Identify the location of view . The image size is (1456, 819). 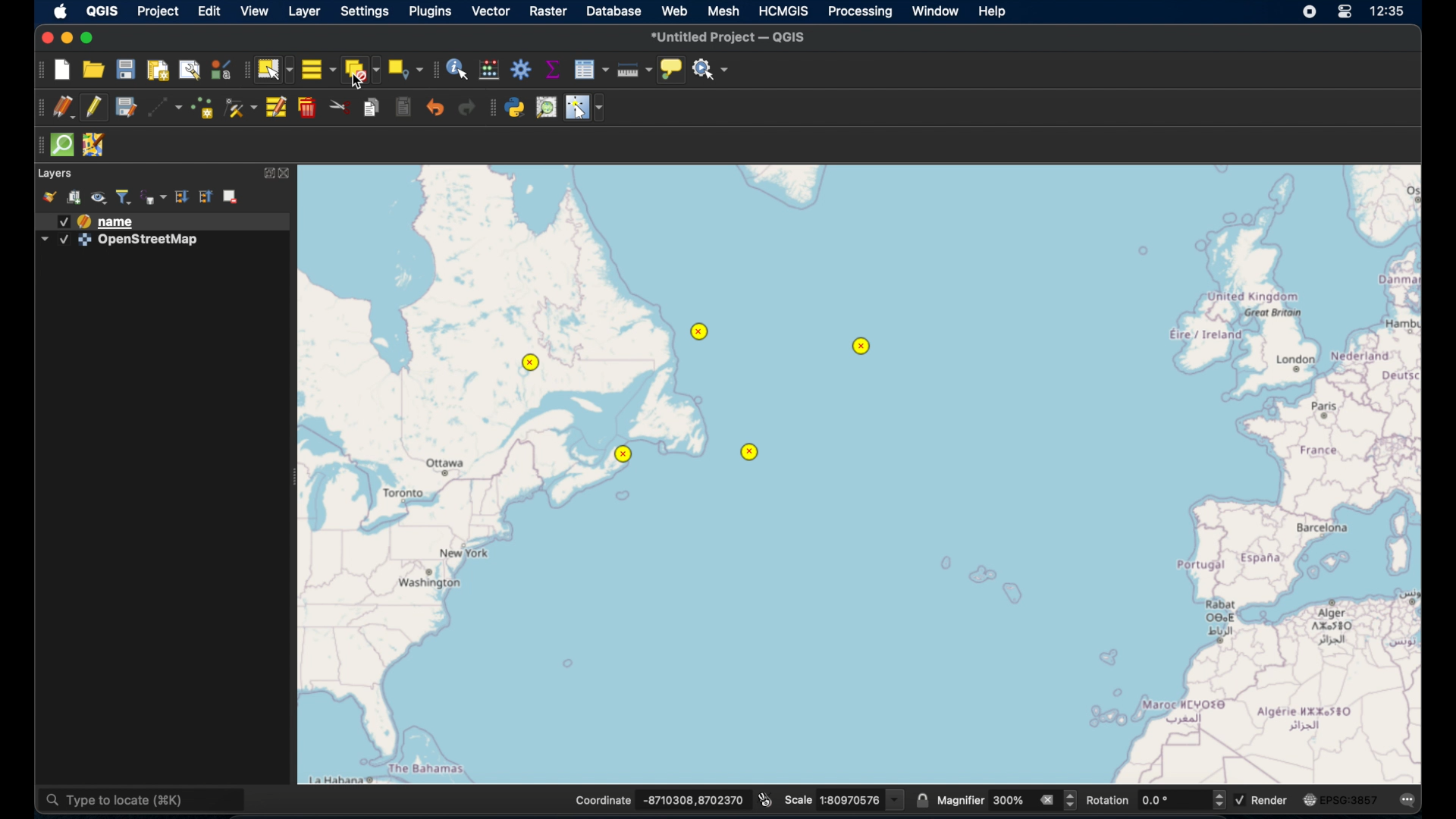
(254, 13).